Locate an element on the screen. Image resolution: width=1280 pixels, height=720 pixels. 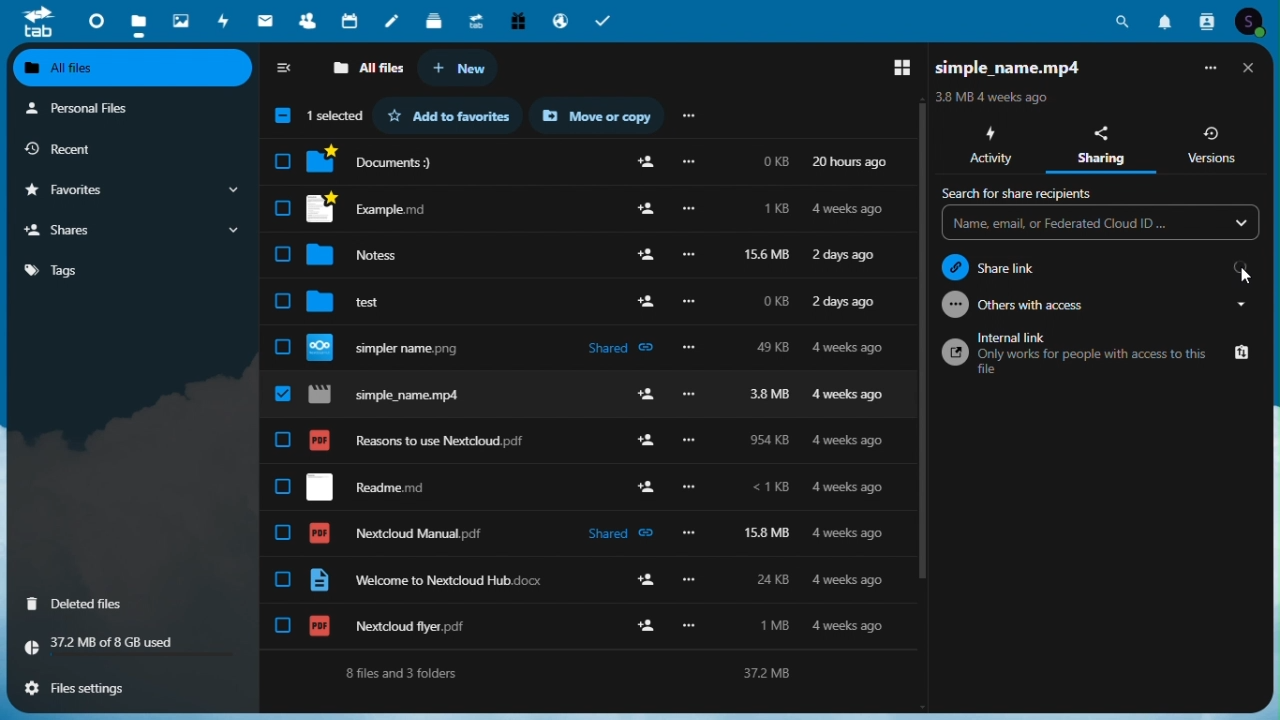
File name is located at coordinates (1027, 66).